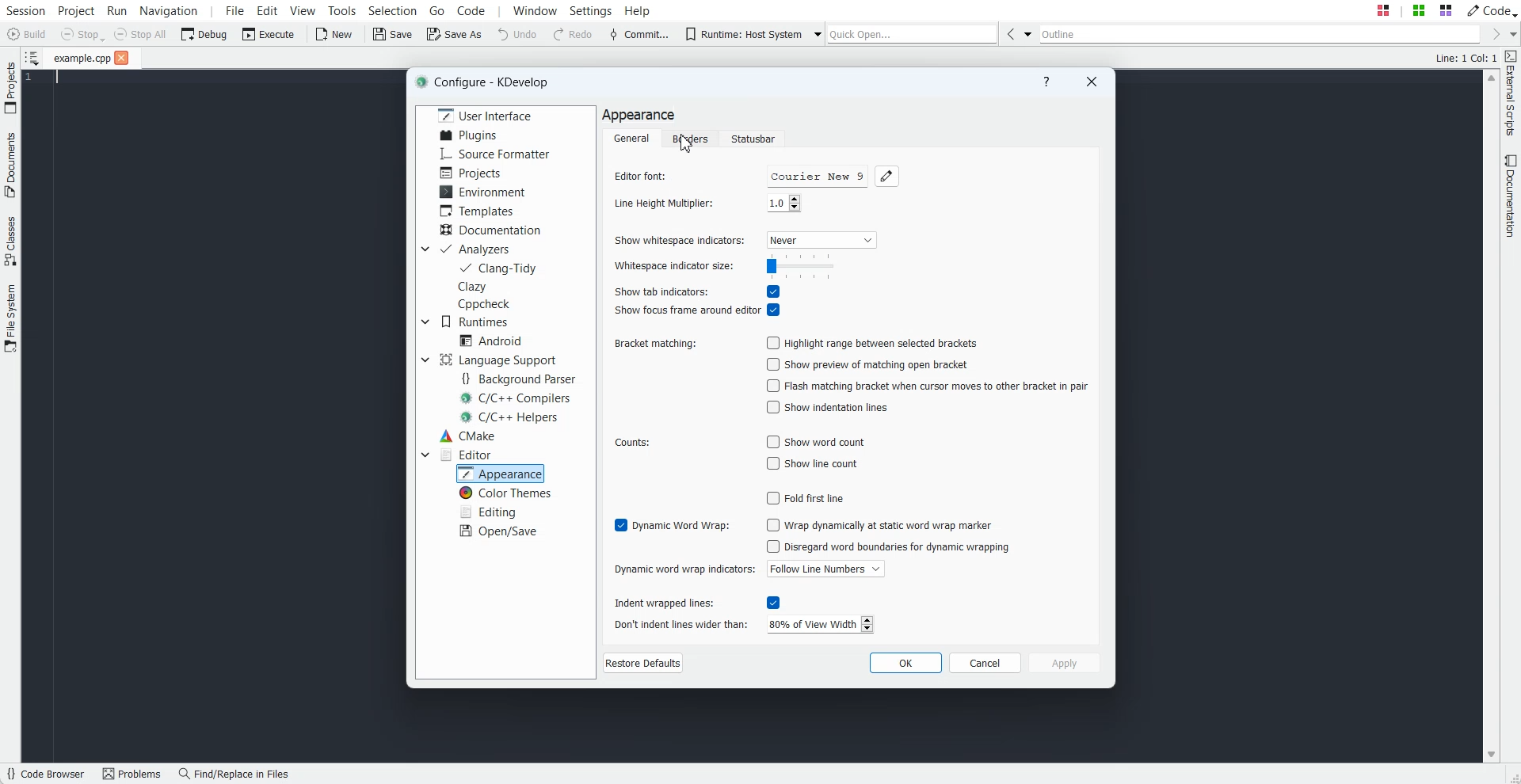 The height and width of the screenshot is (784, 1521). What do you see at coordinates (913, 33) in the screenshot?
I see `Quick Open` at bounding box center [913, 33].